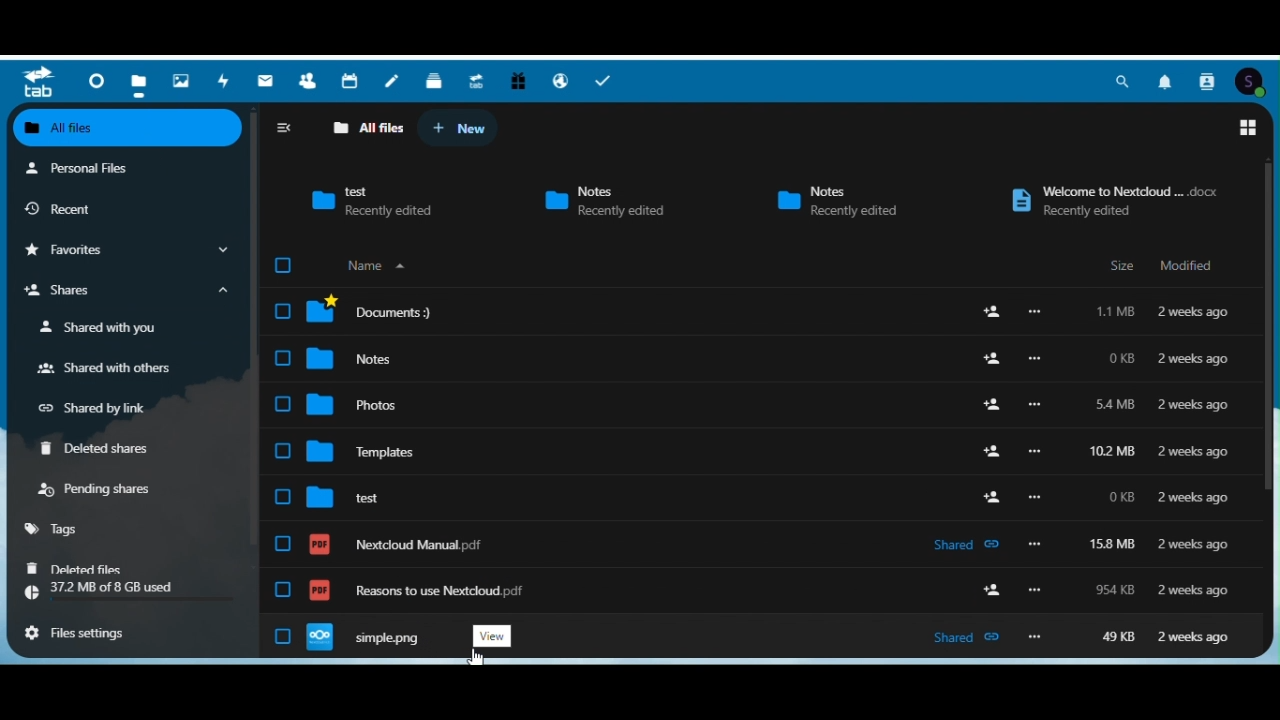 This screenshot has width=1280, height=720. I want to click on notes - recently edited, so click(615, 201).